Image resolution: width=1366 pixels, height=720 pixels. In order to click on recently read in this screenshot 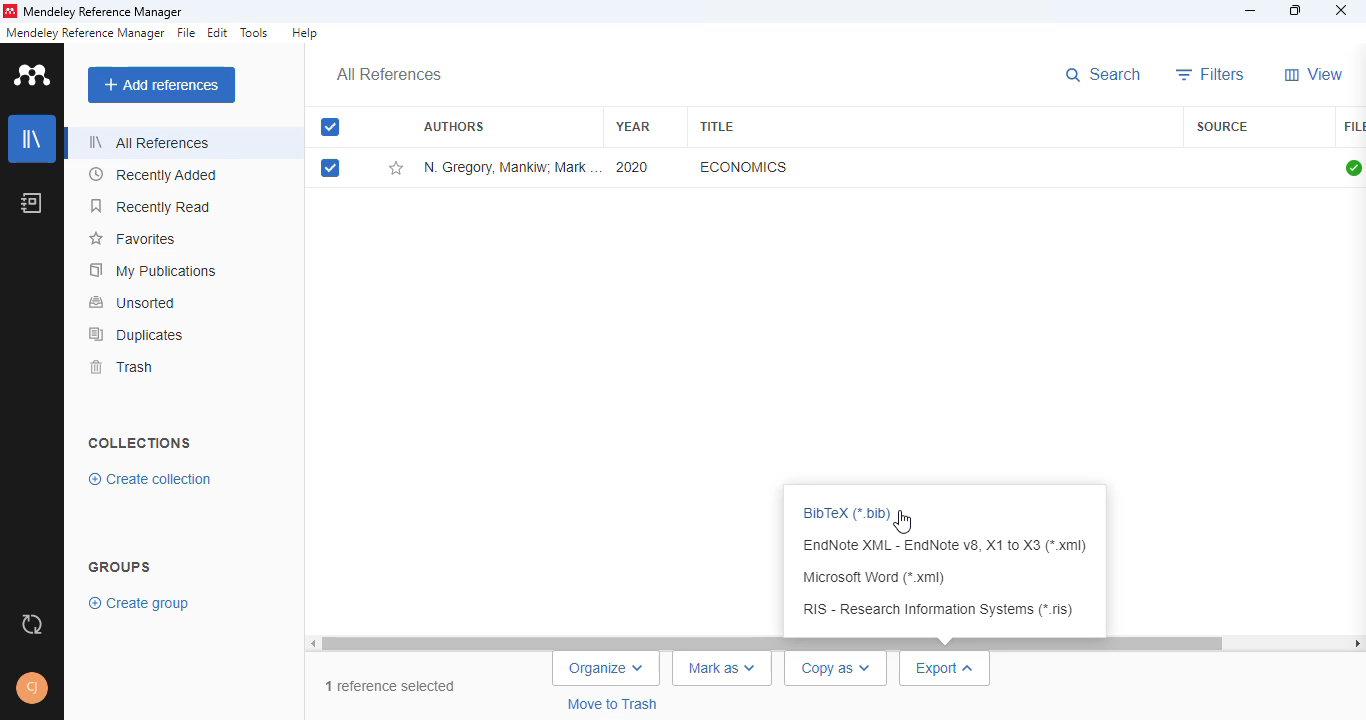, I will do `click(151, 207)`.